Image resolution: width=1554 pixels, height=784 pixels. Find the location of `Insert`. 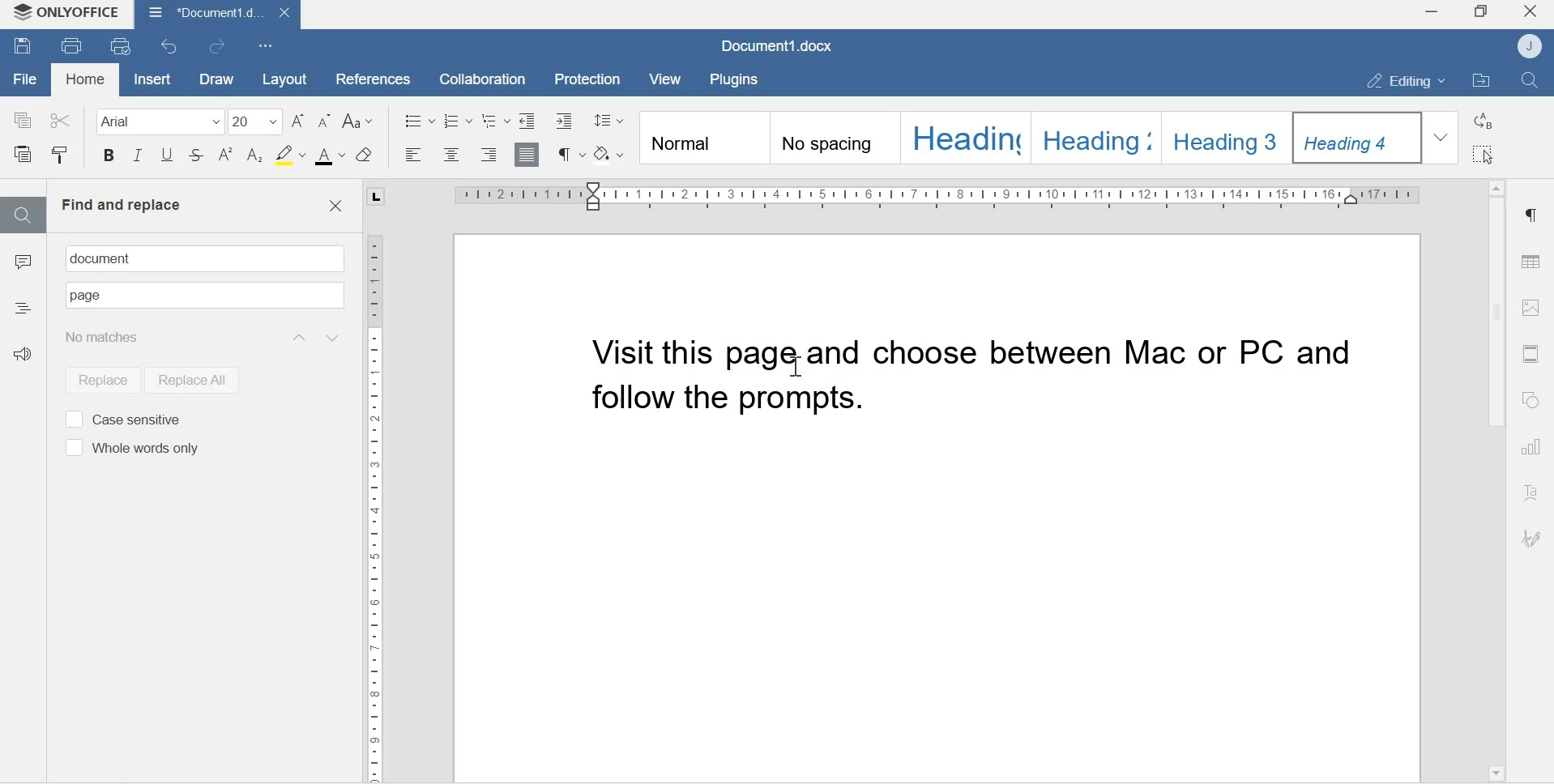

Insert is located at coordinates (150, 79).